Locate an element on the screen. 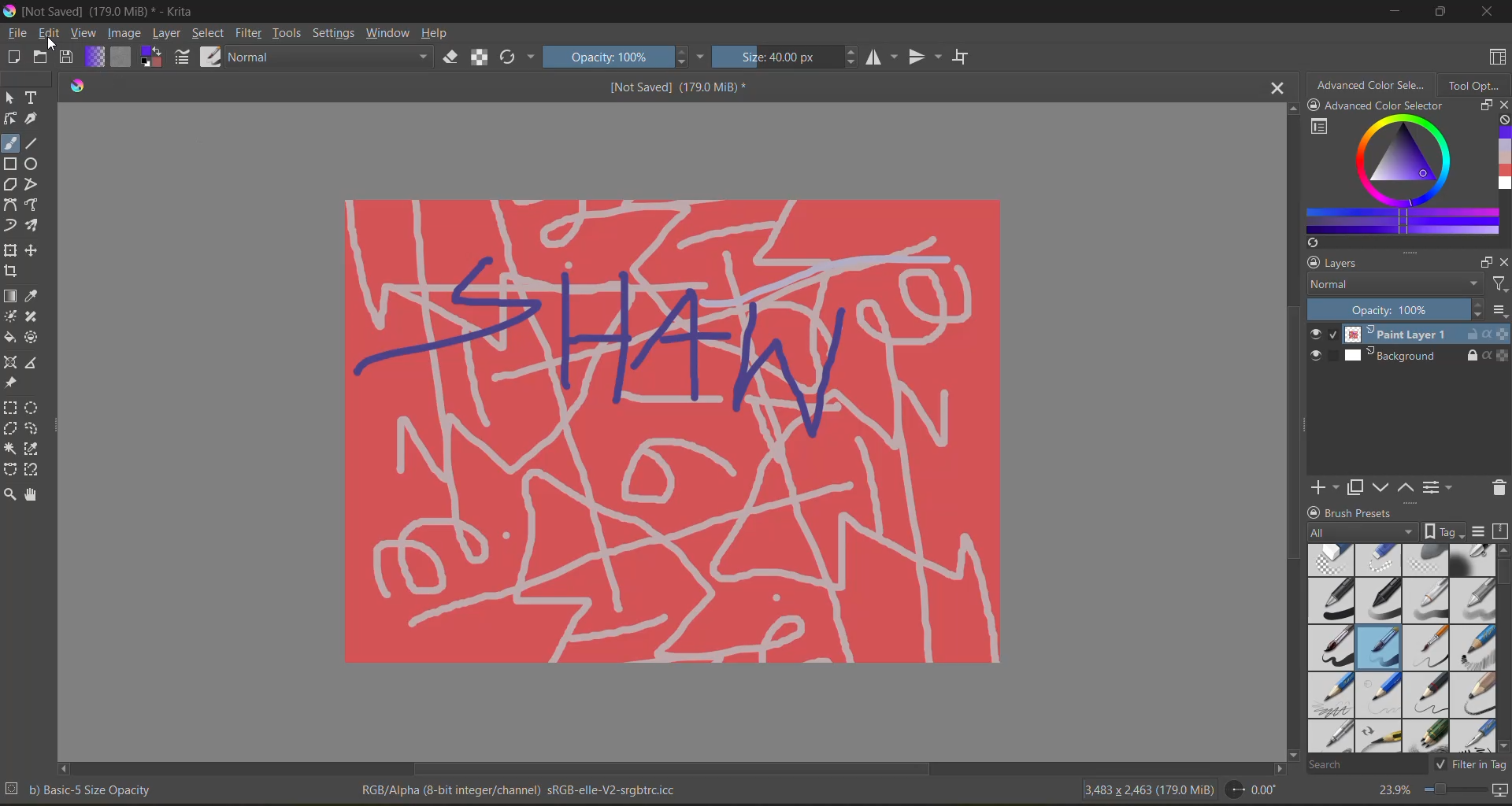 This screenshot has height=806, width=1512. horizontal flip is located at coordinates (883, 57).